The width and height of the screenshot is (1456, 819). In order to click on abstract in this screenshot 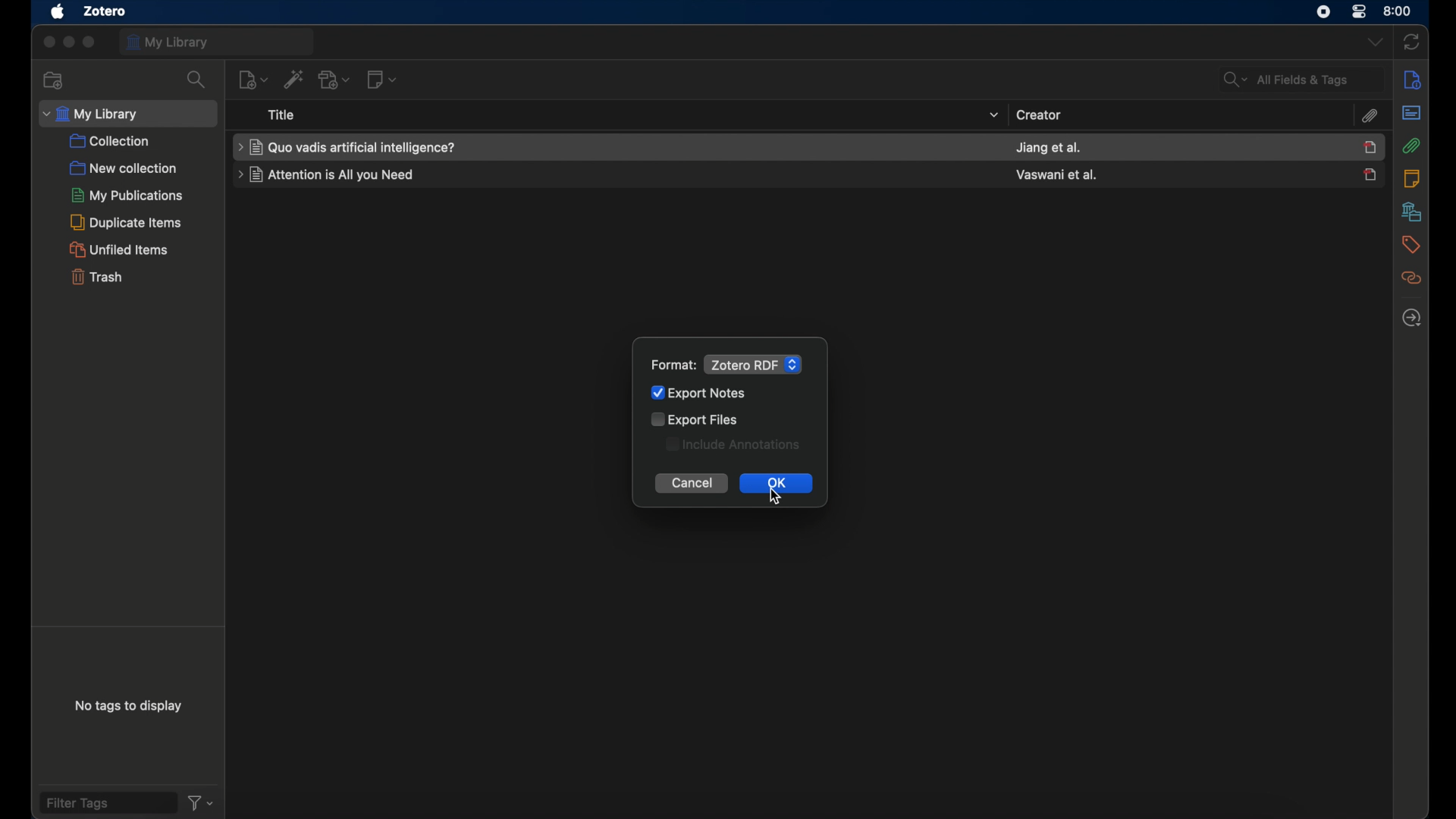, I will do `click(1410, 112)`.